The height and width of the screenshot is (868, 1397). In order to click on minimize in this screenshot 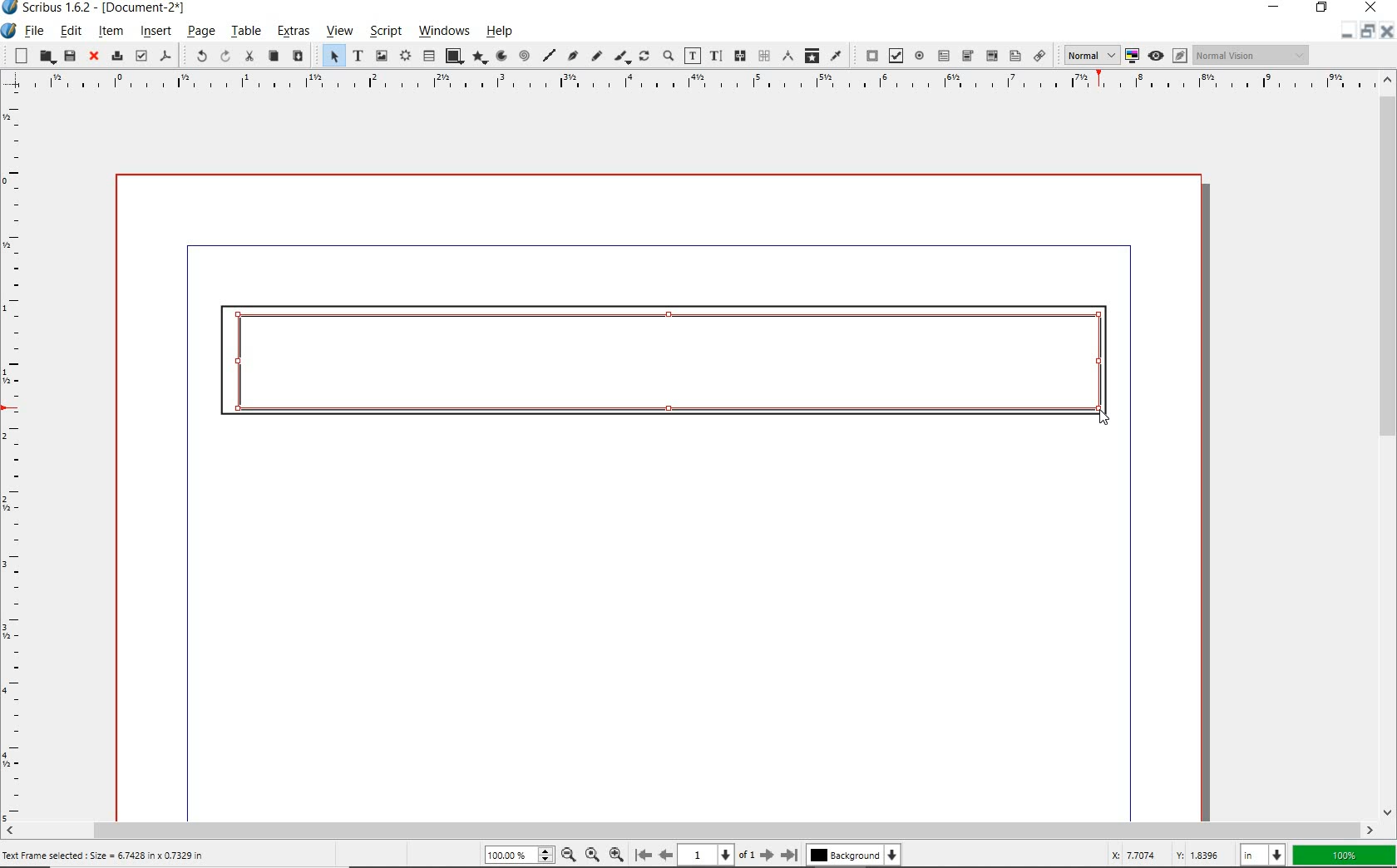, I will do `click(1345, 36)`.